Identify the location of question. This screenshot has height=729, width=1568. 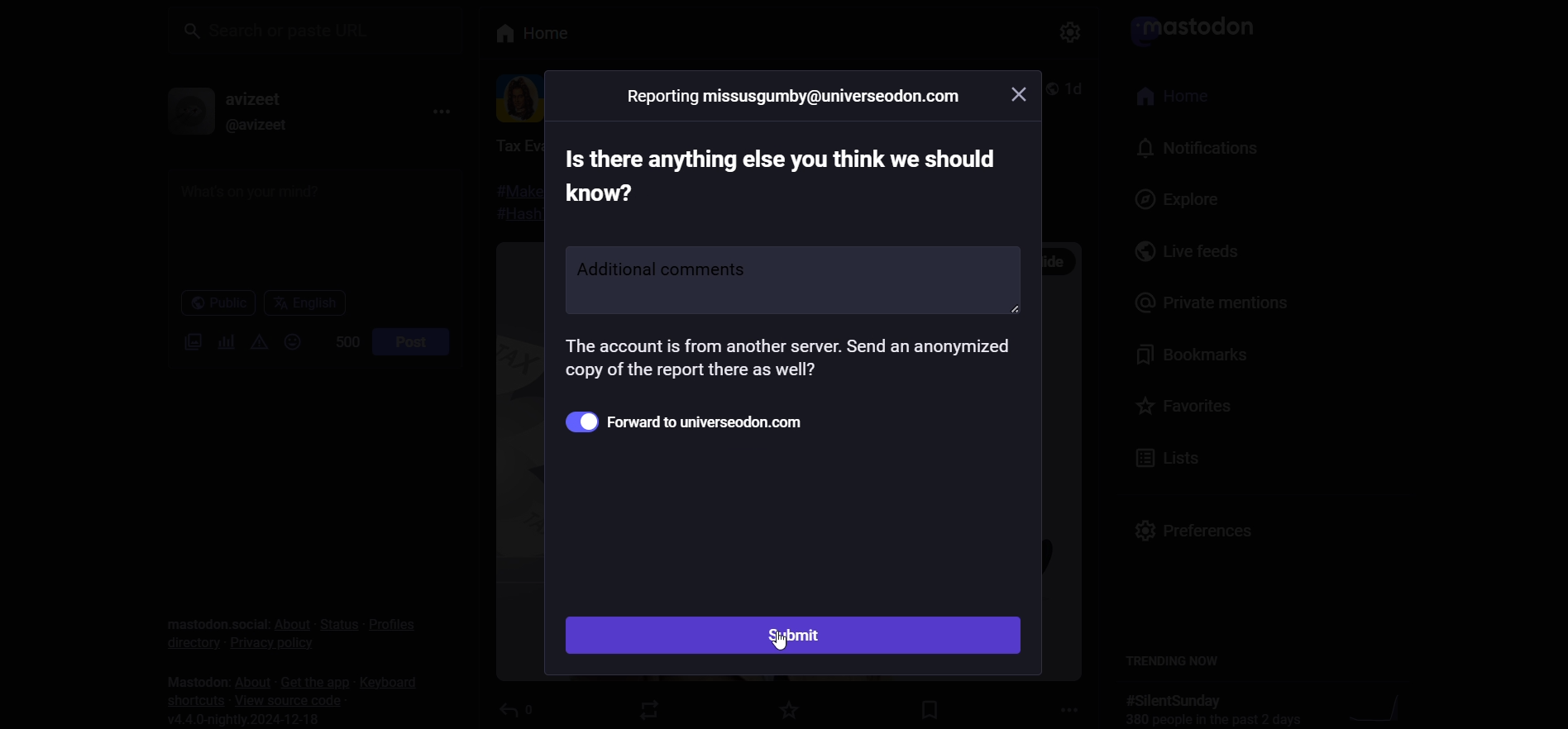
(778, 174).